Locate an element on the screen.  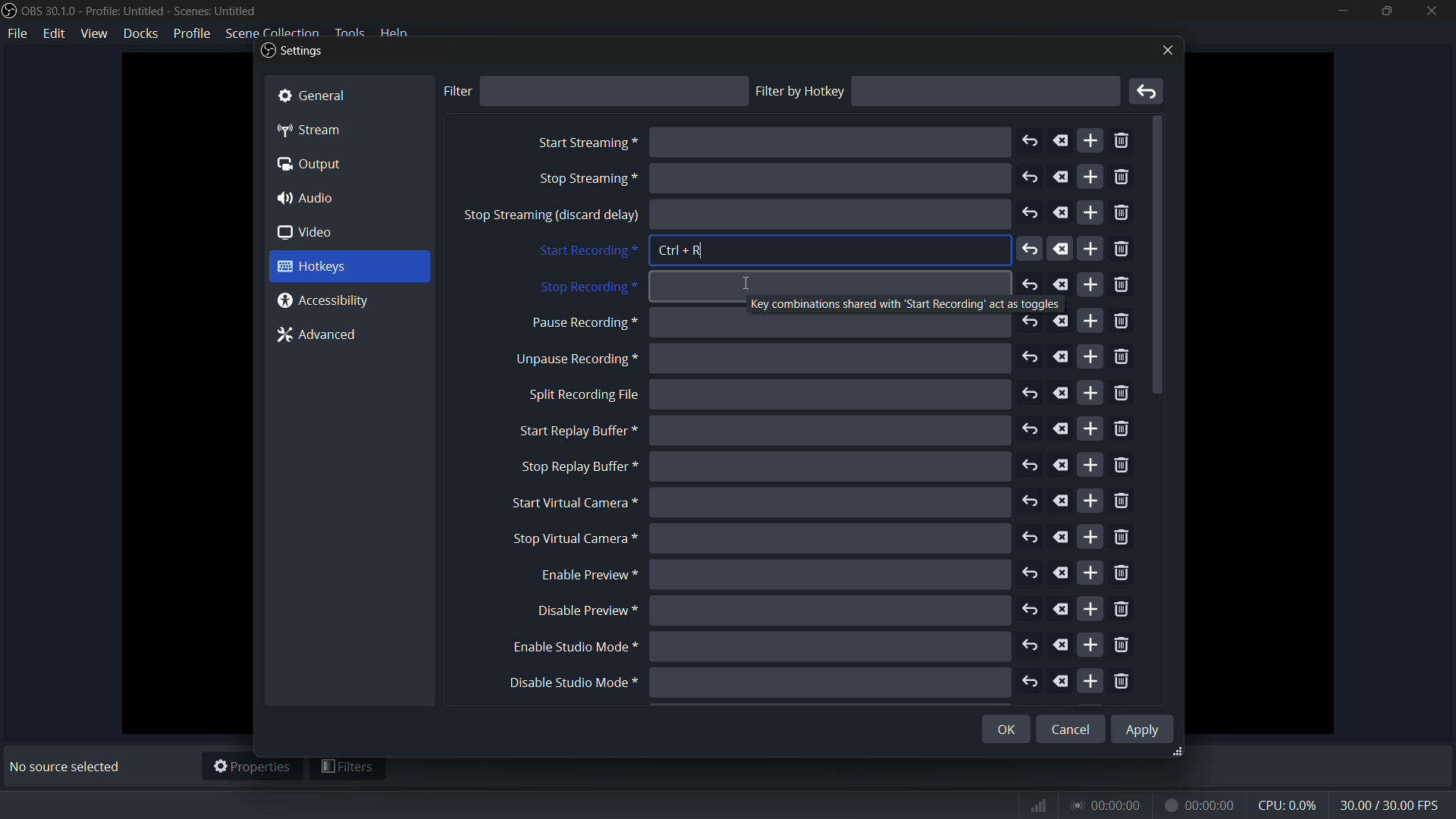
stop virtual camera is located at coordinates (571, 539).